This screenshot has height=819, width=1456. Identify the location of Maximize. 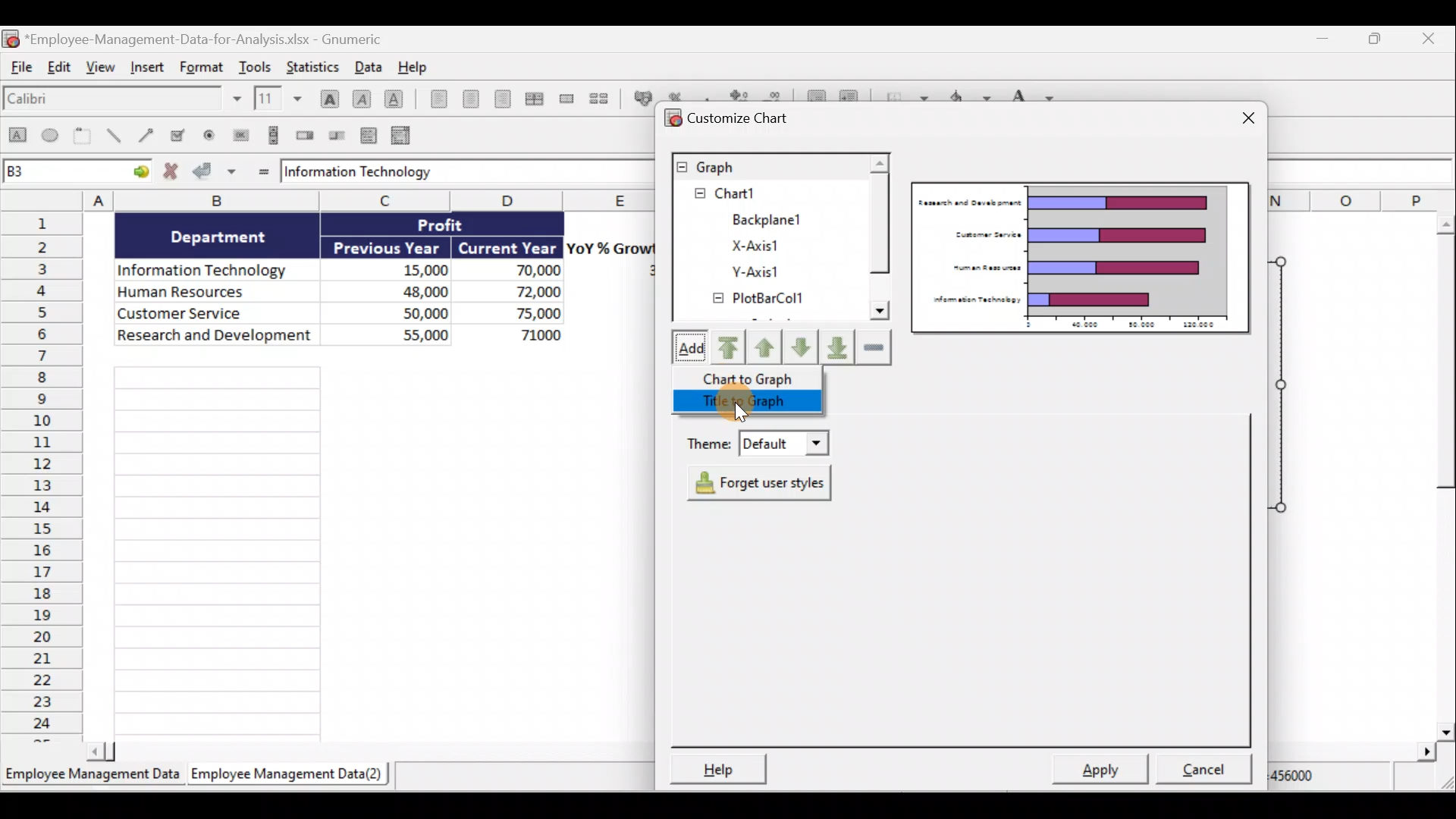
(1382, 41).